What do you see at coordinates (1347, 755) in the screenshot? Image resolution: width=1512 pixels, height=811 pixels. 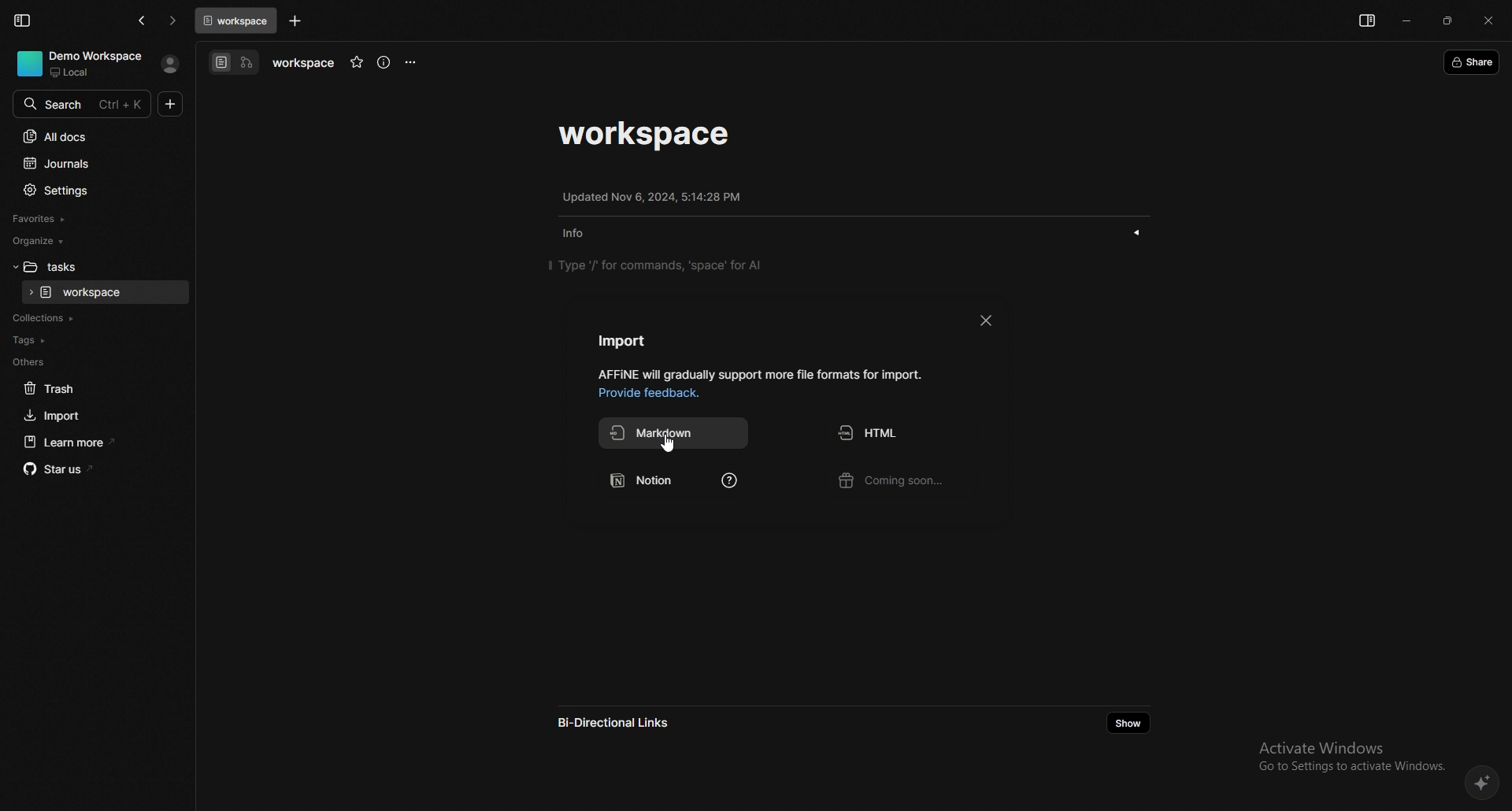 I see `Activate Windows
Go to Settings to activate Windows.` at bounding box center [1347, 755].